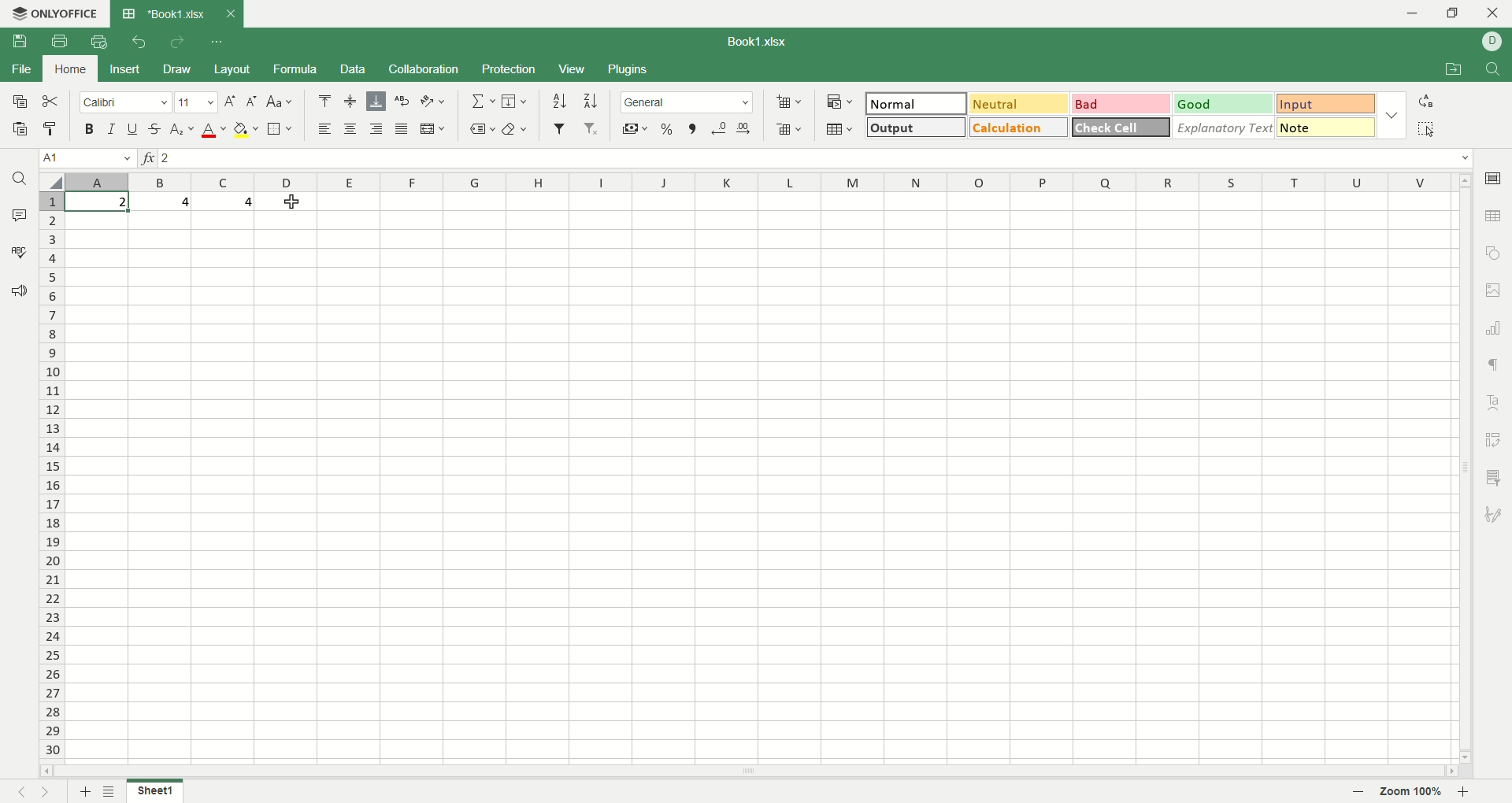 The width and height of the screenshot is (1512, 803). I want to click on decrease font, so click(249, 102).